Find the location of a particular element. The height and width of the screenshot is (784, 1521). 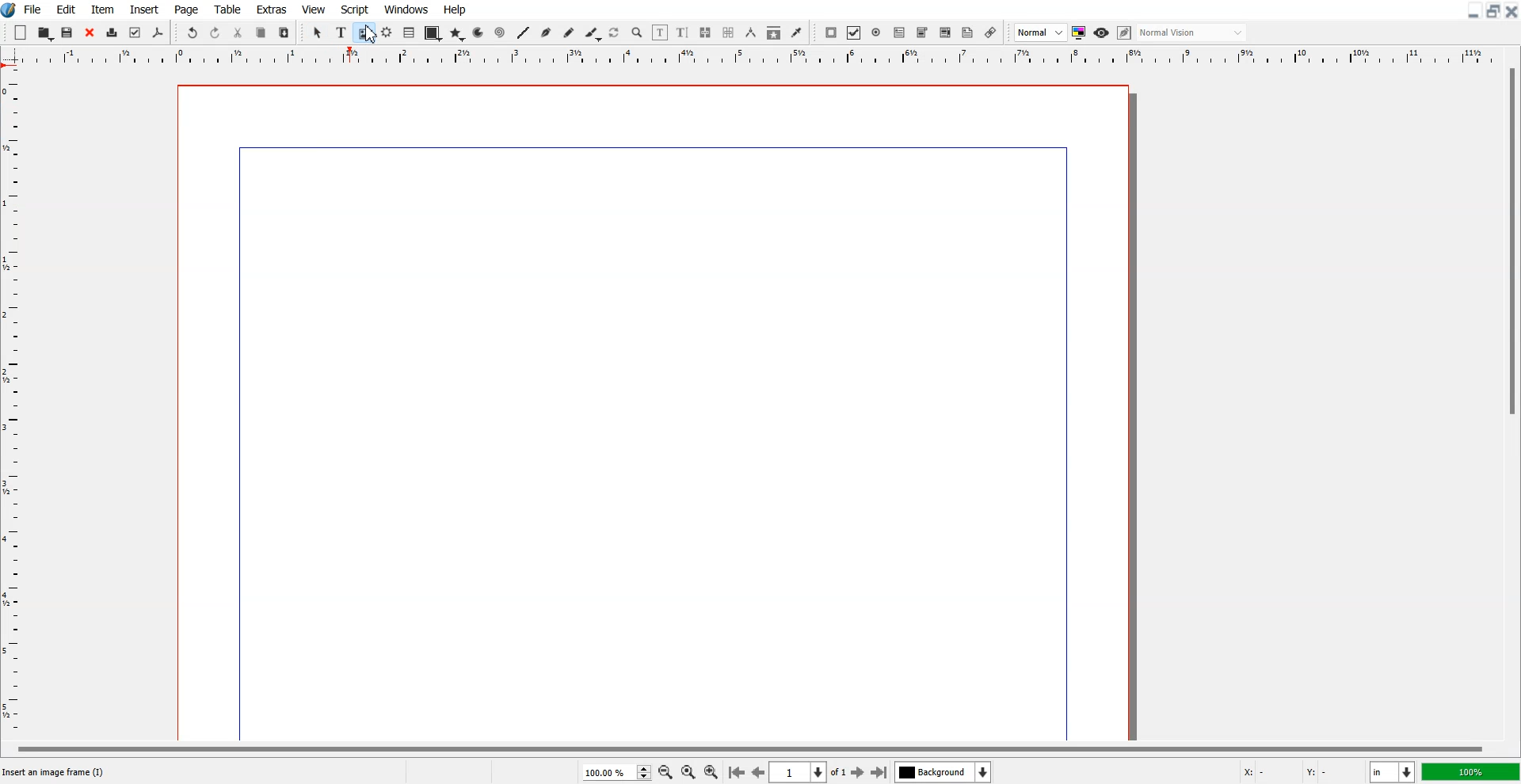

Text Annotation is located at coordinates (968, 33).